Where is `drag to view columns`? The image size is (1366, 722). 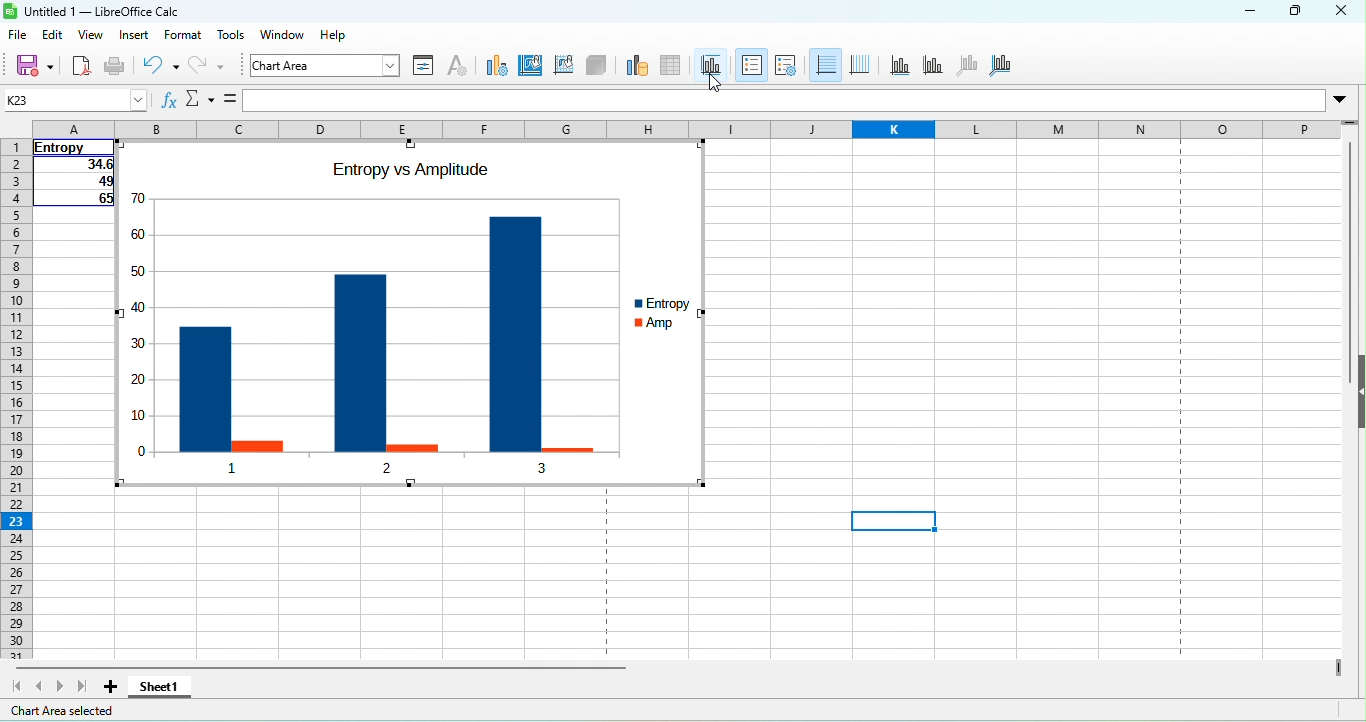 drag to view columns is located at coordinates (1335, 666).